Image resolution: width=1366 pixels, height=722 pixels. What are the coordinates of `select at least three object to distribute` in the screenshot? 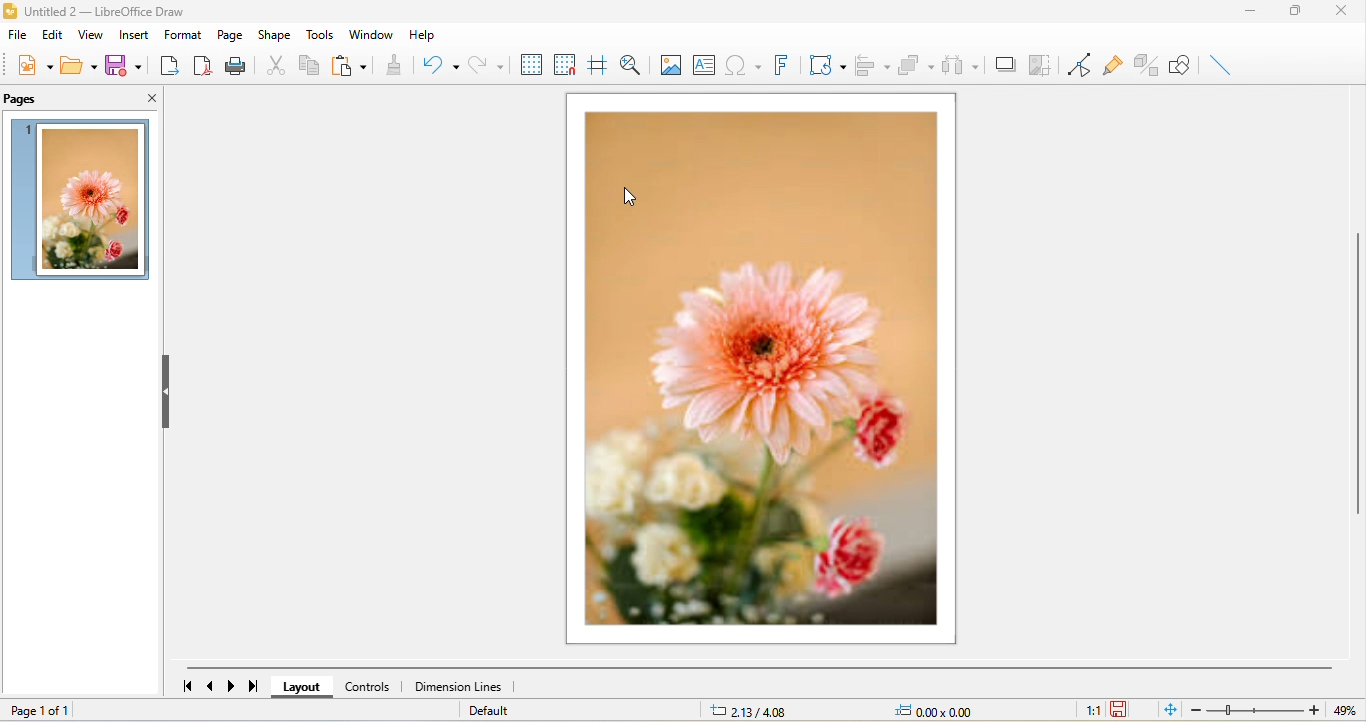 It's located at (959, 63).